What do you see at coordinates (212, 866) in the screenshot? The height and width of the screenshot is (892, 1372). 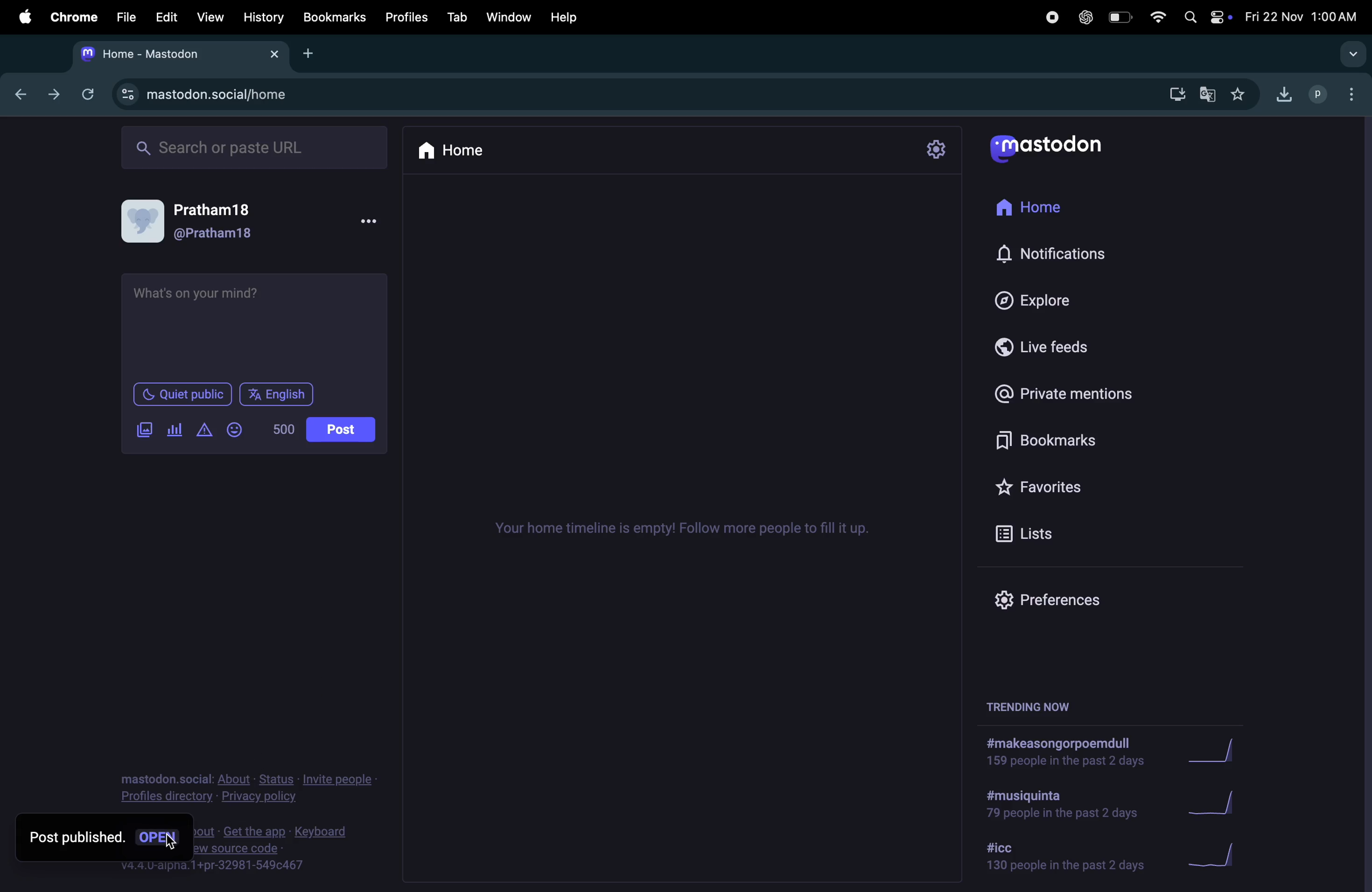 I see `v4.4.0-alpha.1+pr-32981-549c467` at bounding box center [212, 866].